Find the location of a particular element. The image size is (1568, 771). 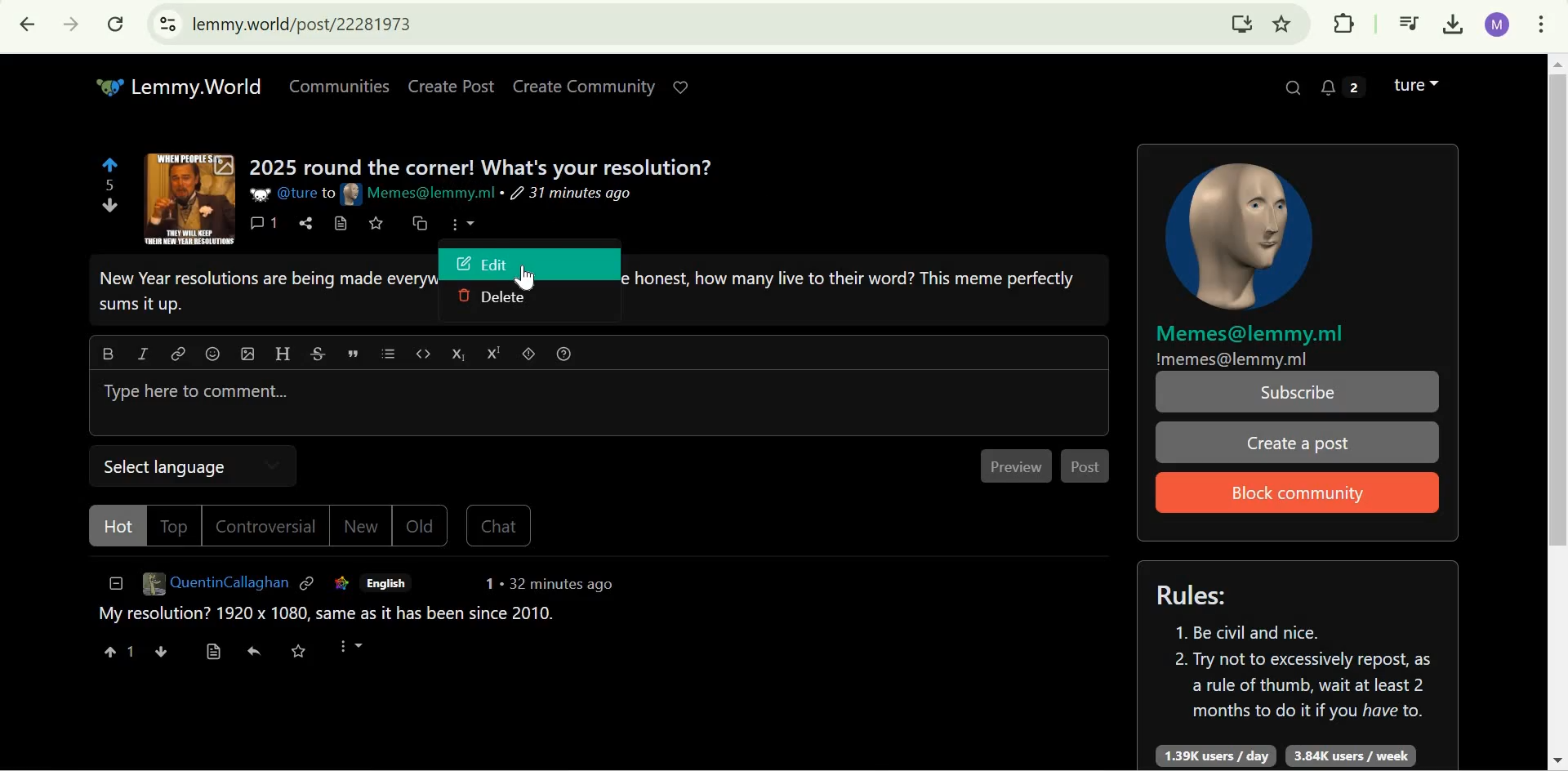

quote is located at coordinates (355, 353).